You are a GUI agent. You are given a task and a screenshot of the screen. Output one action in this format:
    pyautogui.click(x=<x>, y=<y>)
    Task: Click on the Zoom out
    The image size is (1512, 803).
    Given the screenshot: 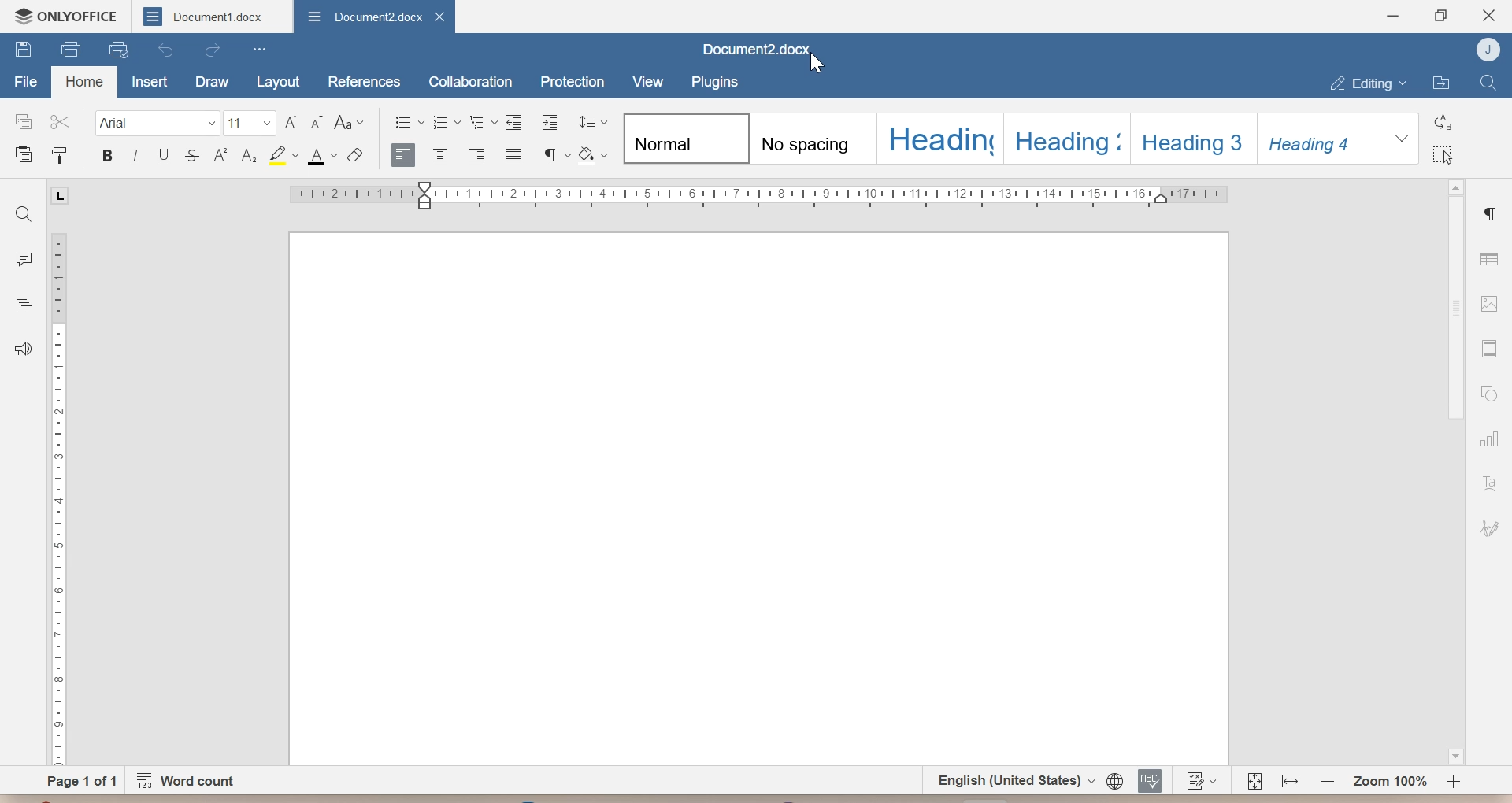 What is the action you would take?
    pyautogui.click(x=1290, y=780)
    